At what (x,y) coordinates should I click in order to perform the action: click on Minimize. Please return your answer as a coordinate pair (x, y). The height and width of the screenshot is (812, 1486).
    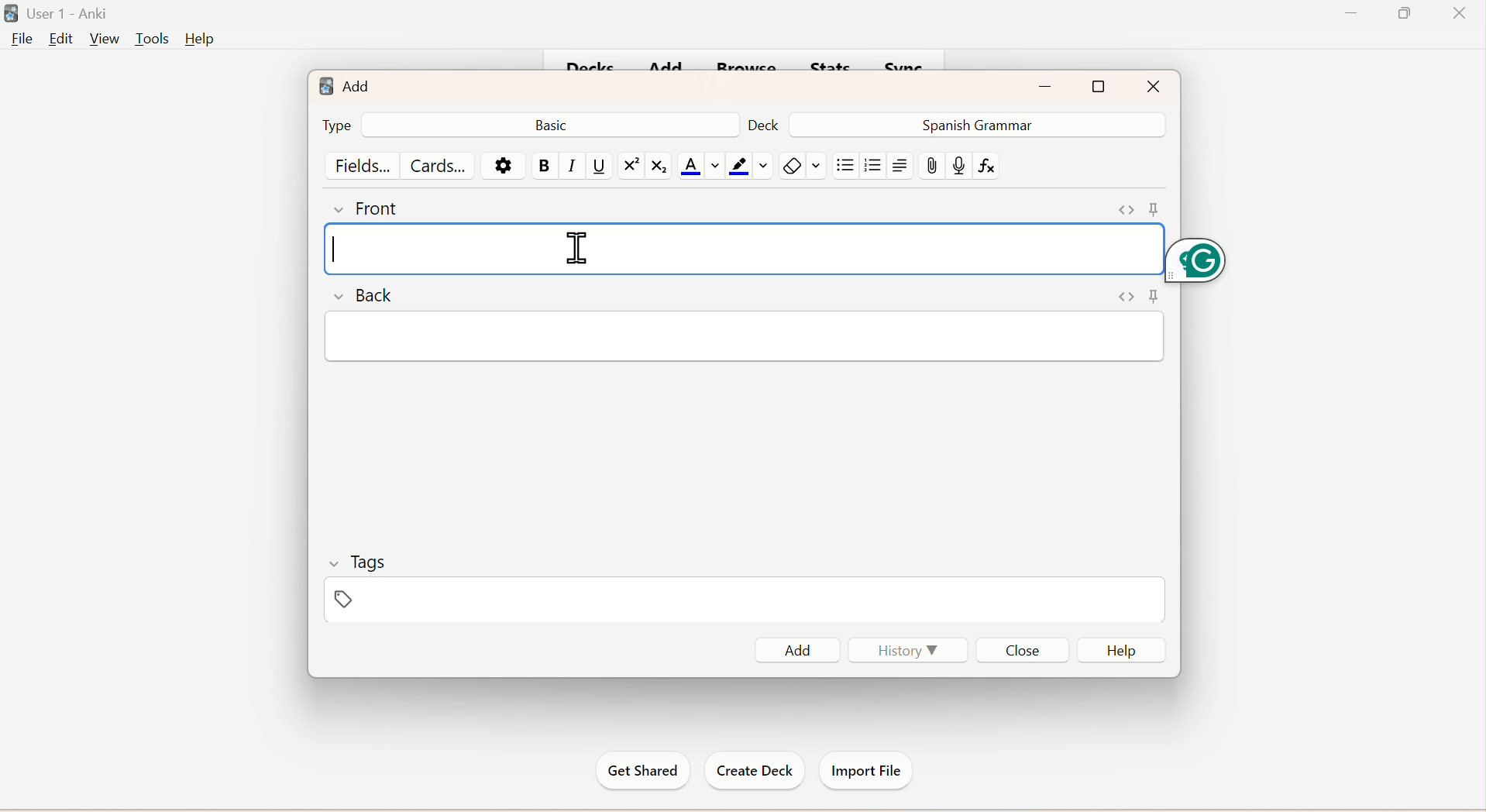
    Looking at the image, I should click on (1354, 13).